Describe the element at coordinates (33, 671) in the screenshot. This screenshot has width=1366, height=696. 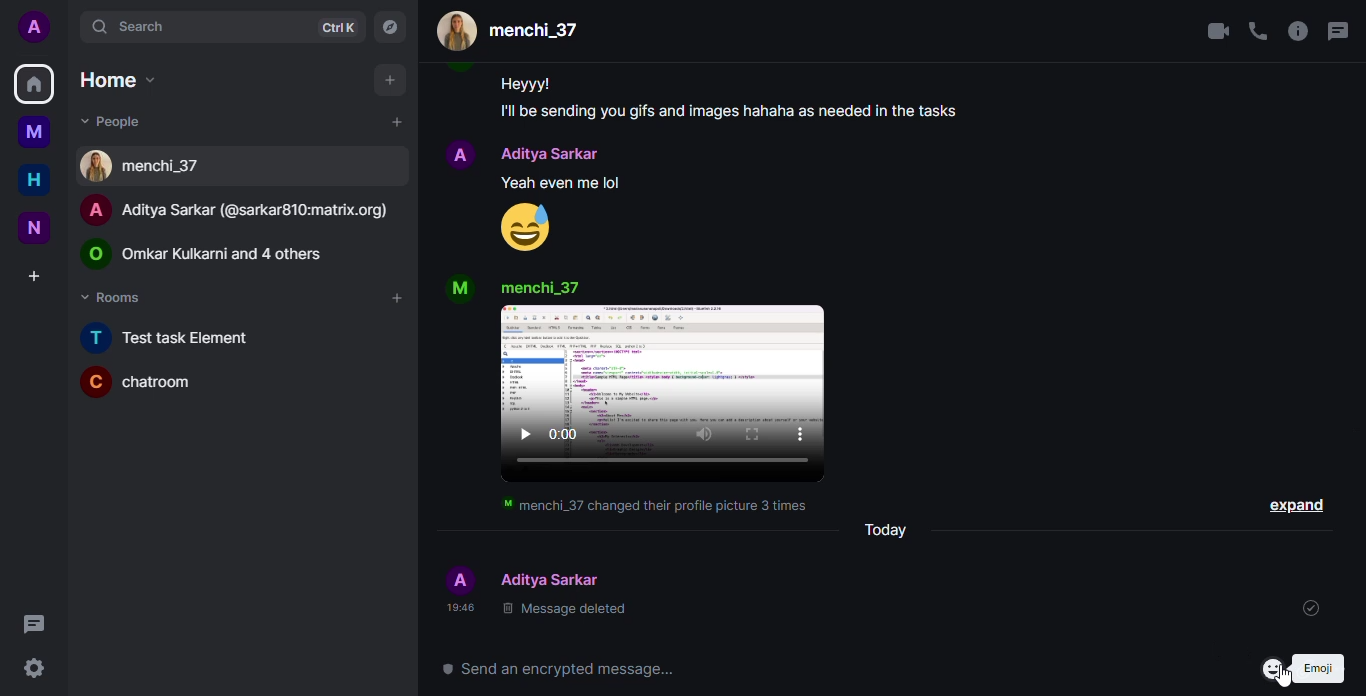
I see `quick settings` at that location.